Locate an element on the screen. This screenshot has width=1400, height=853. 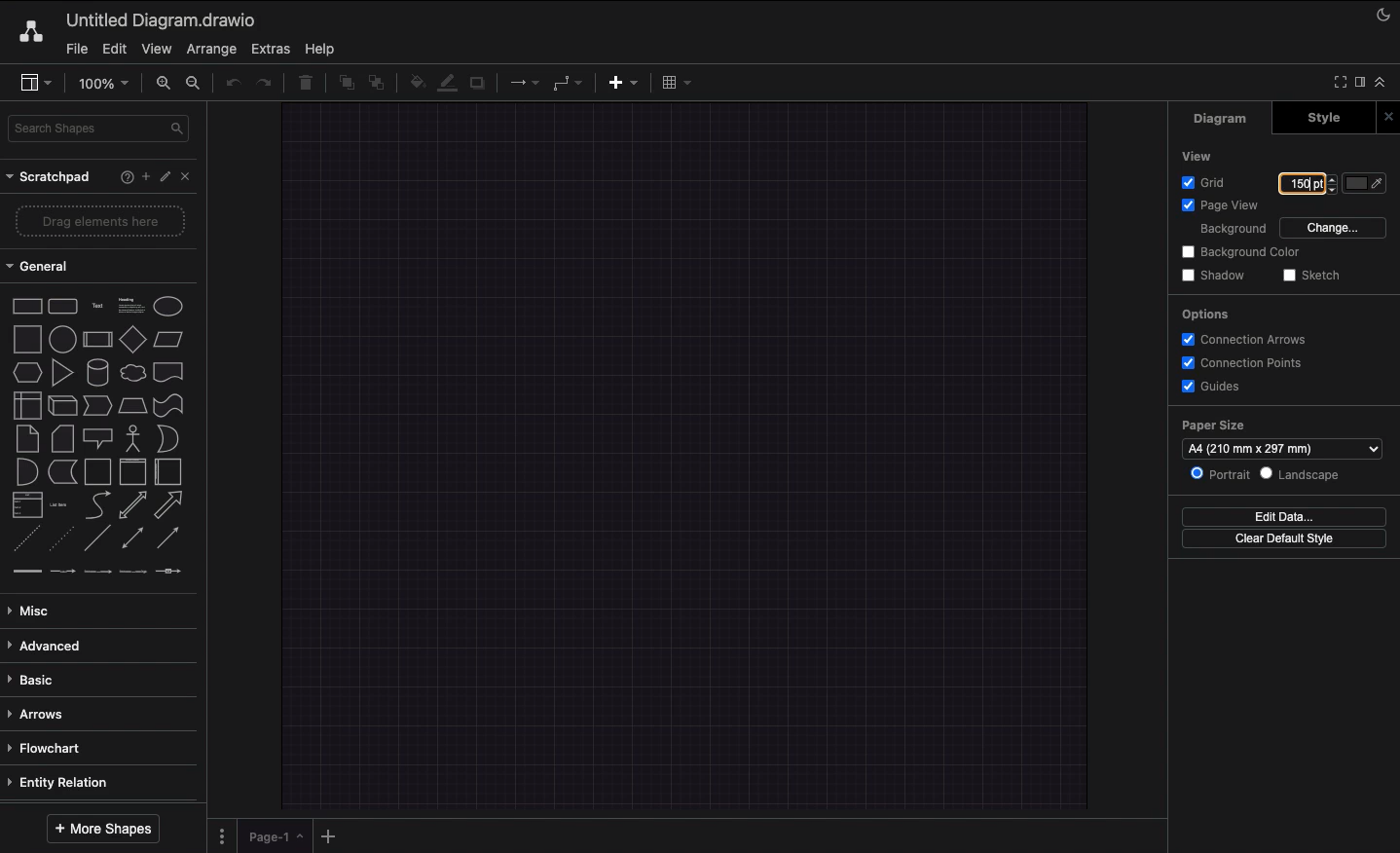
Flowchart is located at coordinates (55, 748).